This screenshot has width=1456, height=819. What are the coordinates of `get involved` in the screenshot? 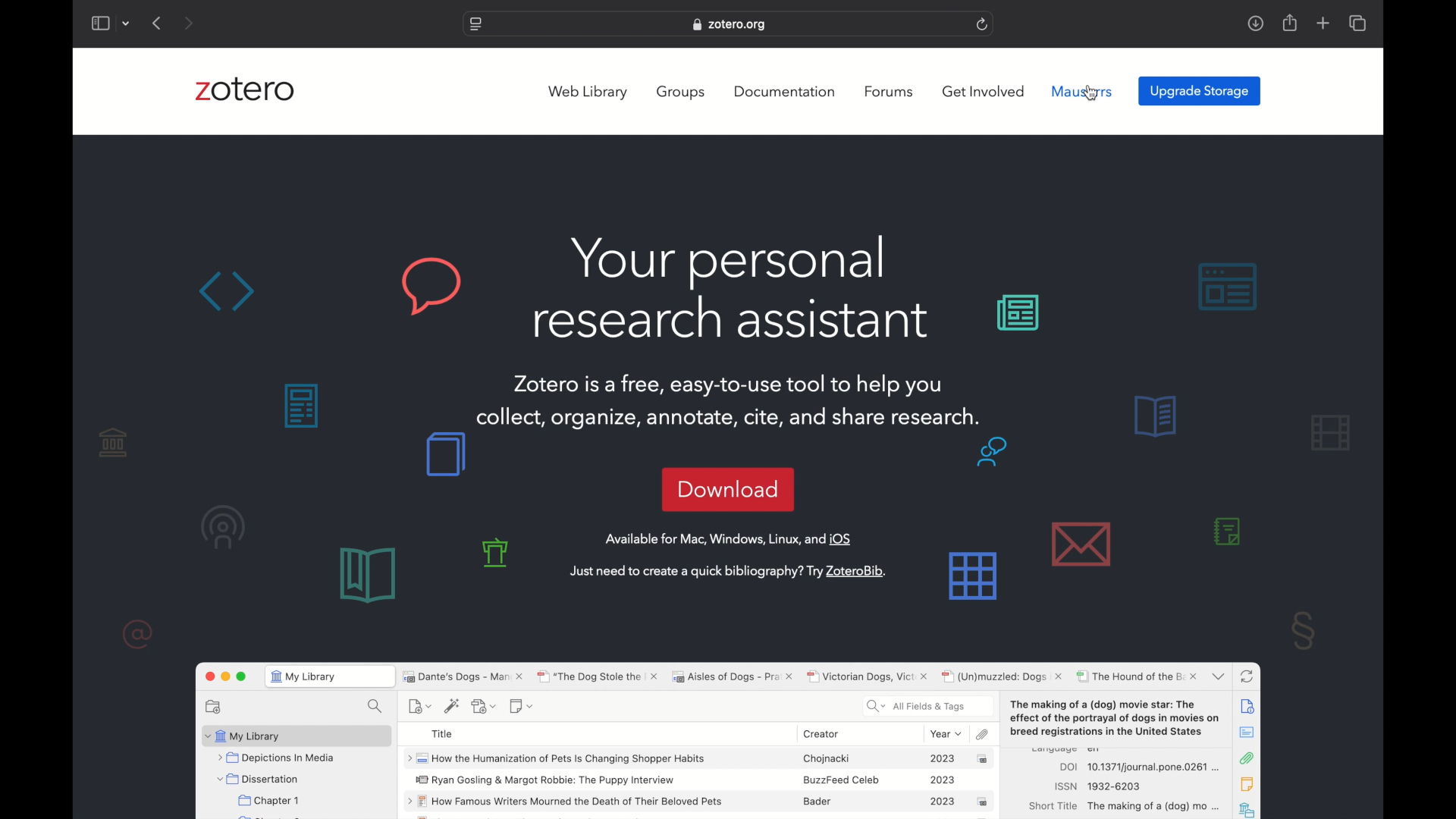 It's located at (984, 91).